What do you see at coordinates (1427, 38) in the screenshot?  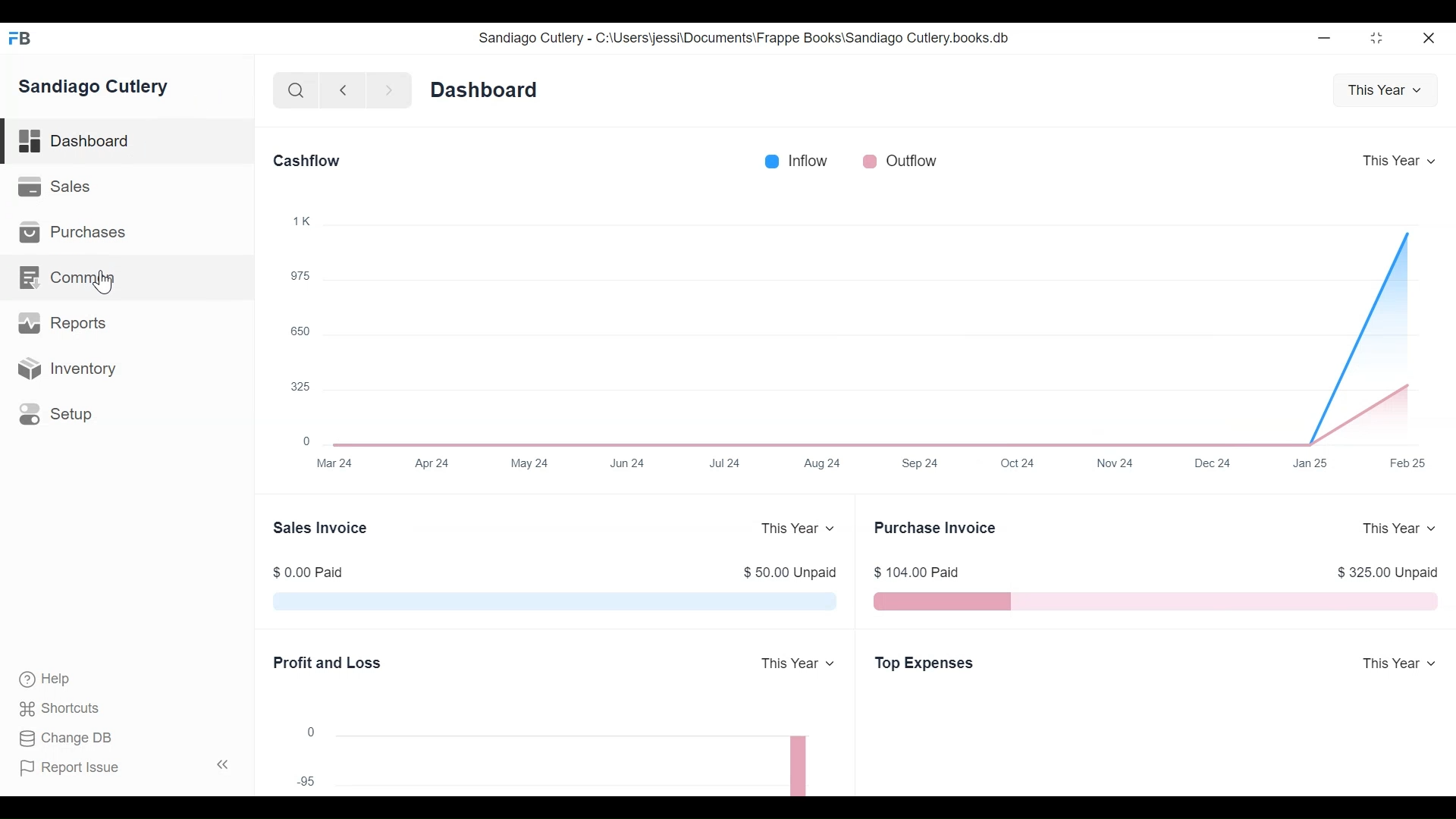 I see `Close` at bounding box center [1427, 38].